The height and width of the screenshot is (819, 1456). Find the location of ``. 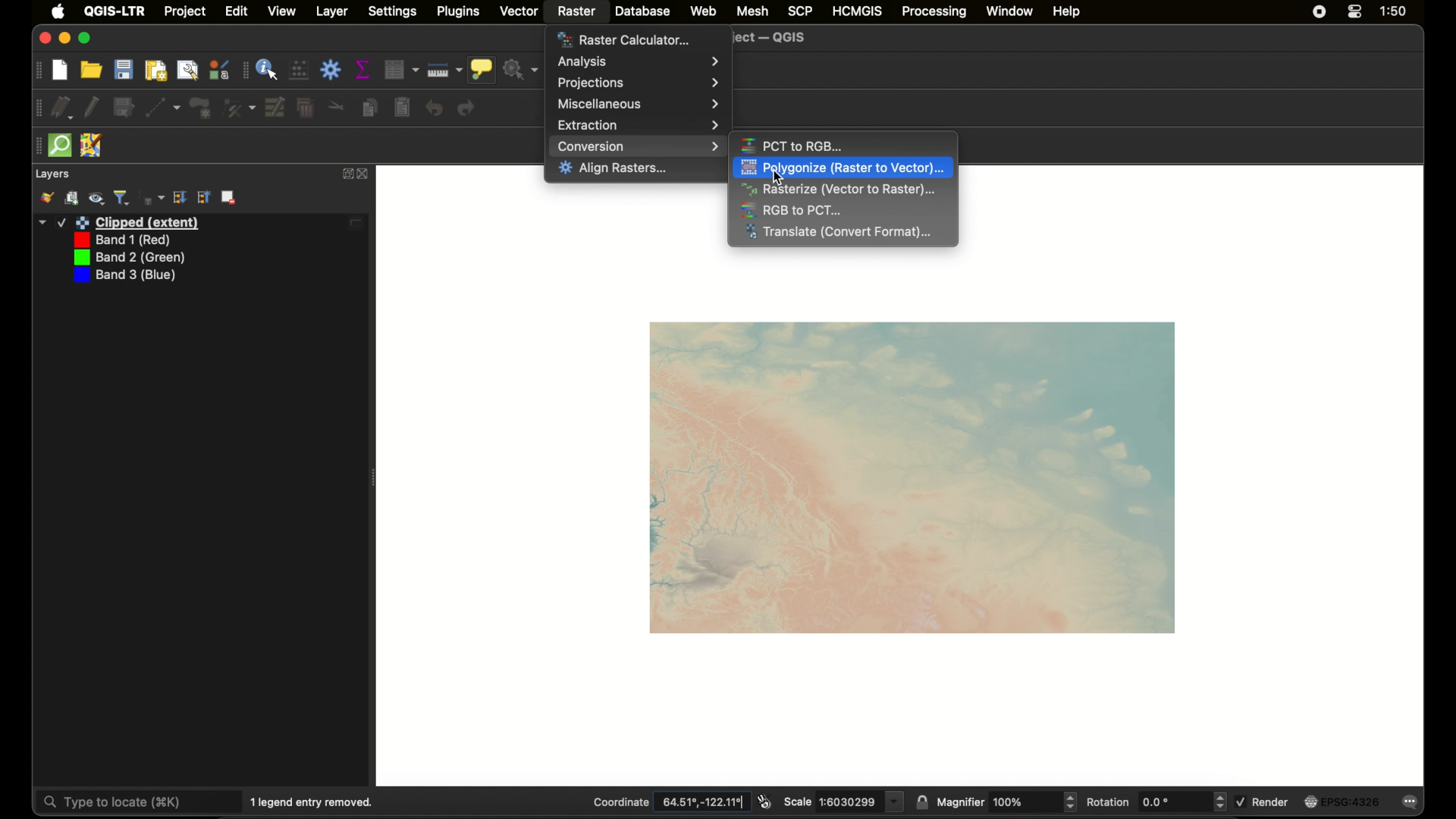

 is located at coordinates (42, 40).